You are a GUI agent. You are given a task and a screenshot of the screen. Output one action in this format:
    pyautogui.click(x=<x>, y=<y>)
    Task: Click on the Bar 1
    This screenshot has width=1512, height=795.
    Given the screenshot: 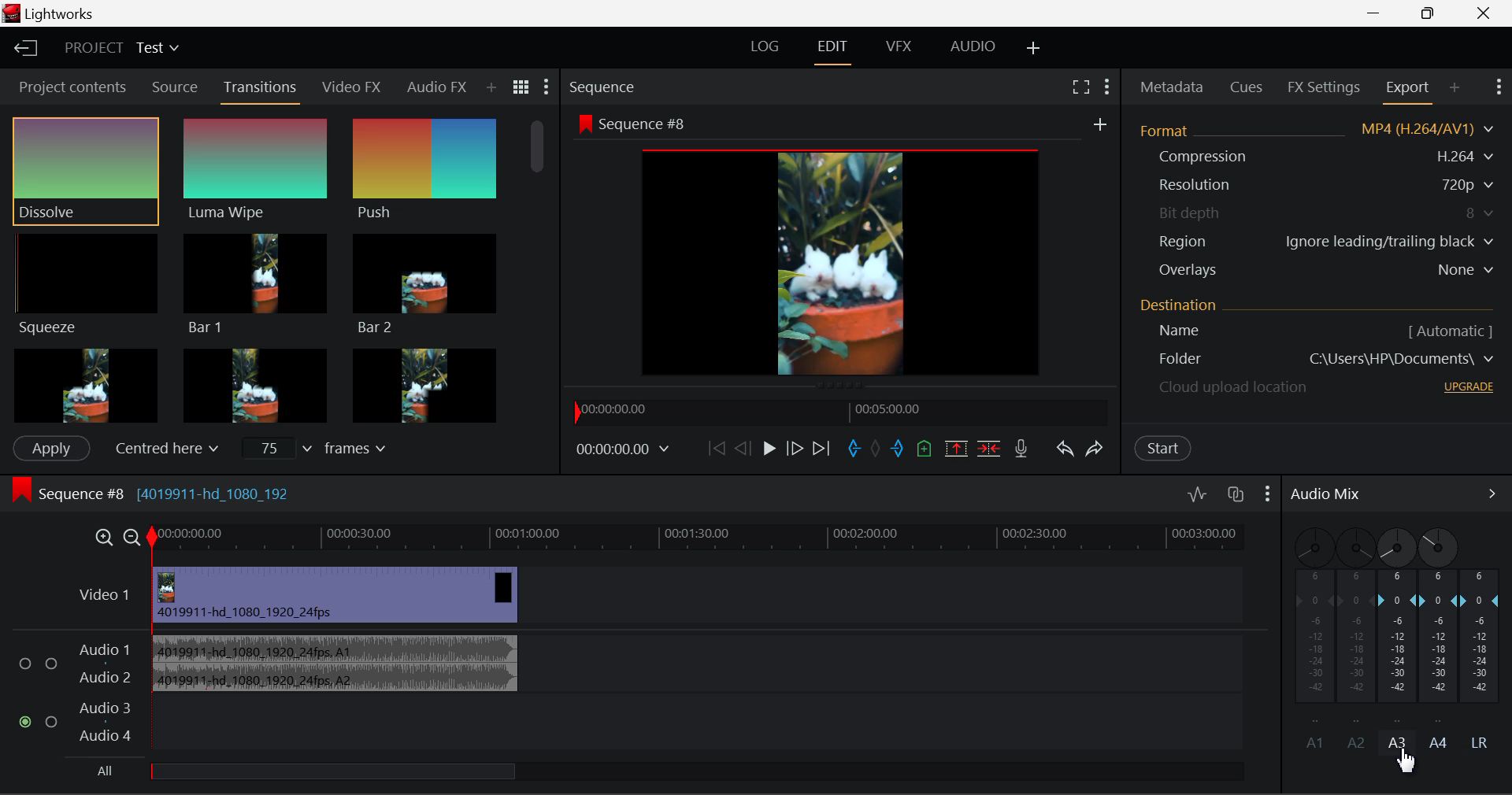 What is the action you would take?
    pyautogui.click(x=256, y=284)
    